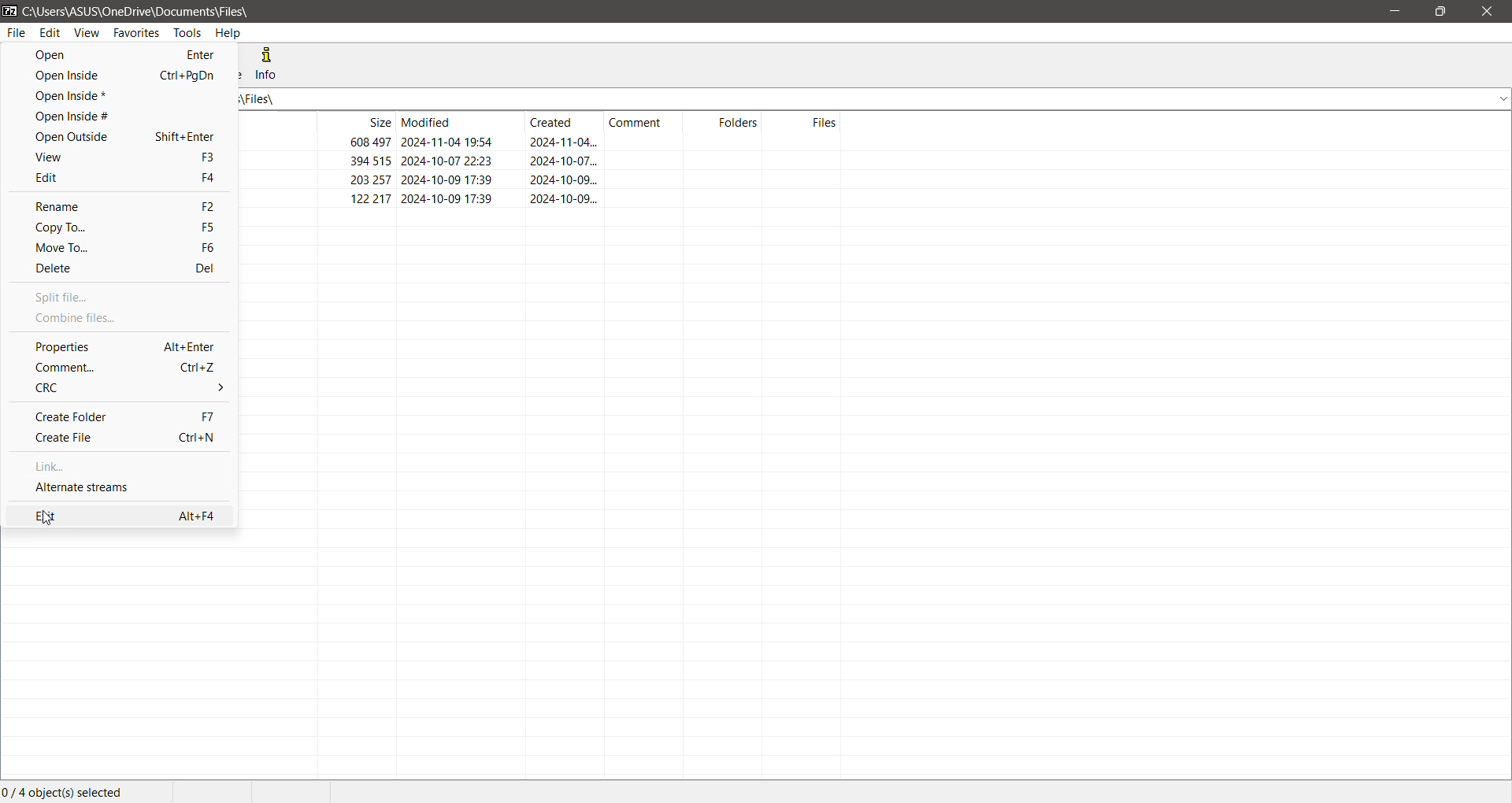 This screenshot has height=803, width=1512. What do you see at coordinates (128, 437) in the screenshot?
I see `Create File` at bounding box center [128, 437].